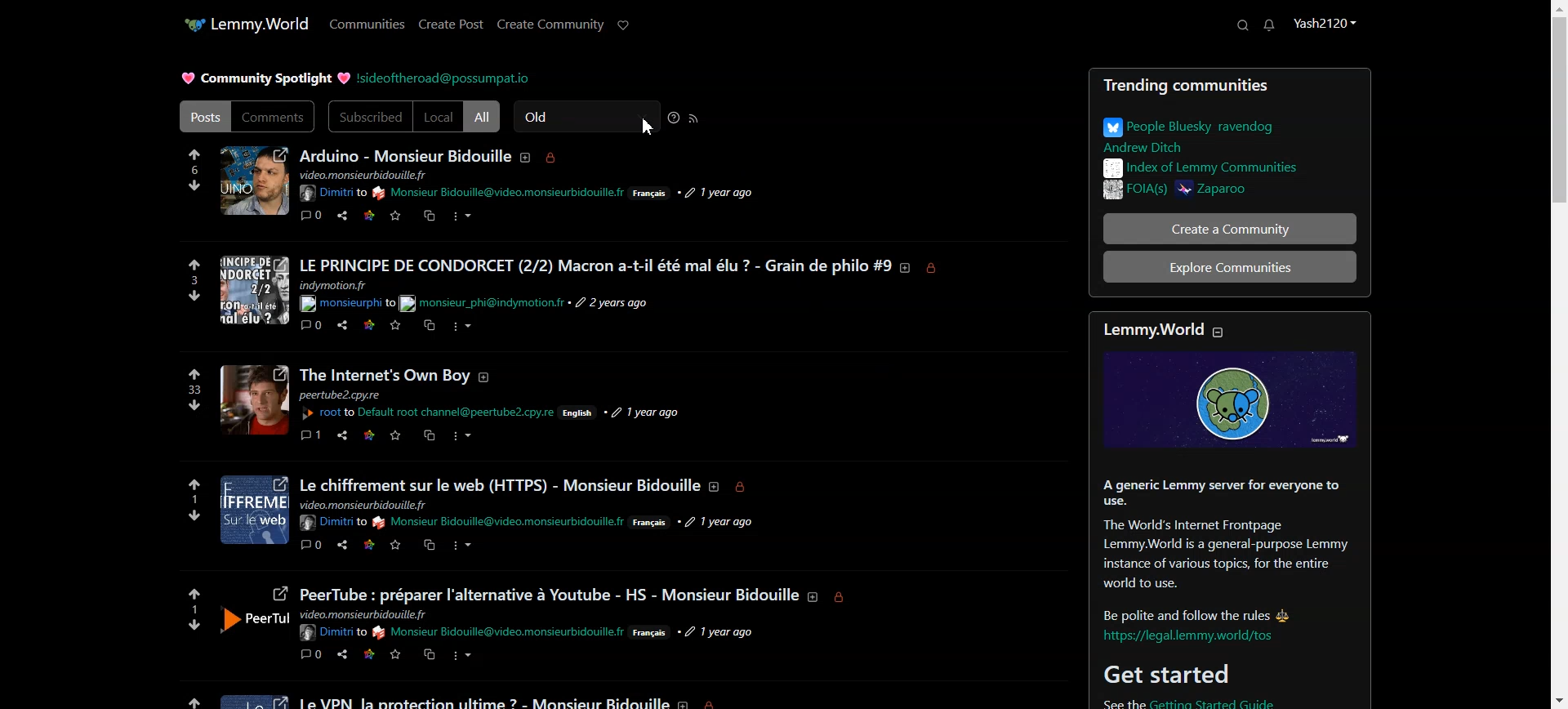 This screenshot has height=709, width=1568. I want to click on save, so click(399, 435).